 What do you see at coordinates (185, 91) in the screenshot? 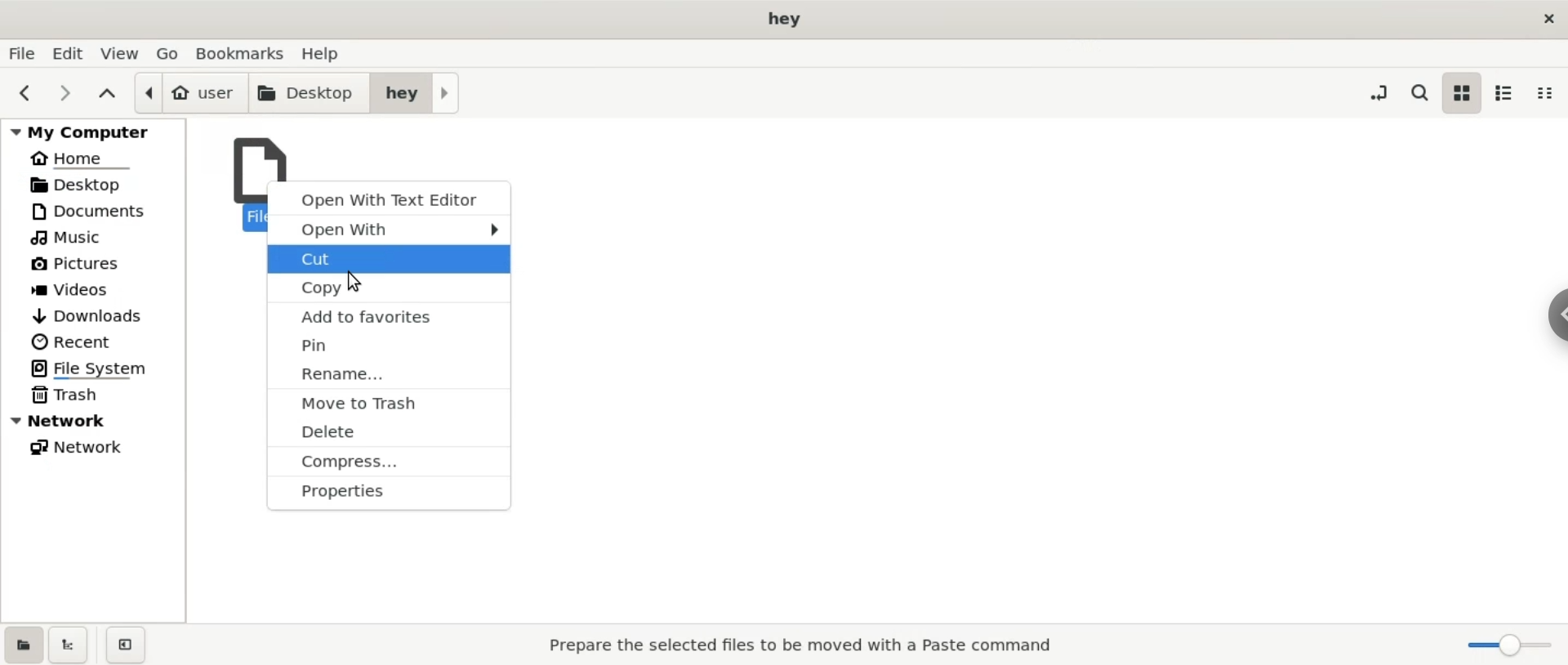
I see `user` at bounding box center [185, 91].